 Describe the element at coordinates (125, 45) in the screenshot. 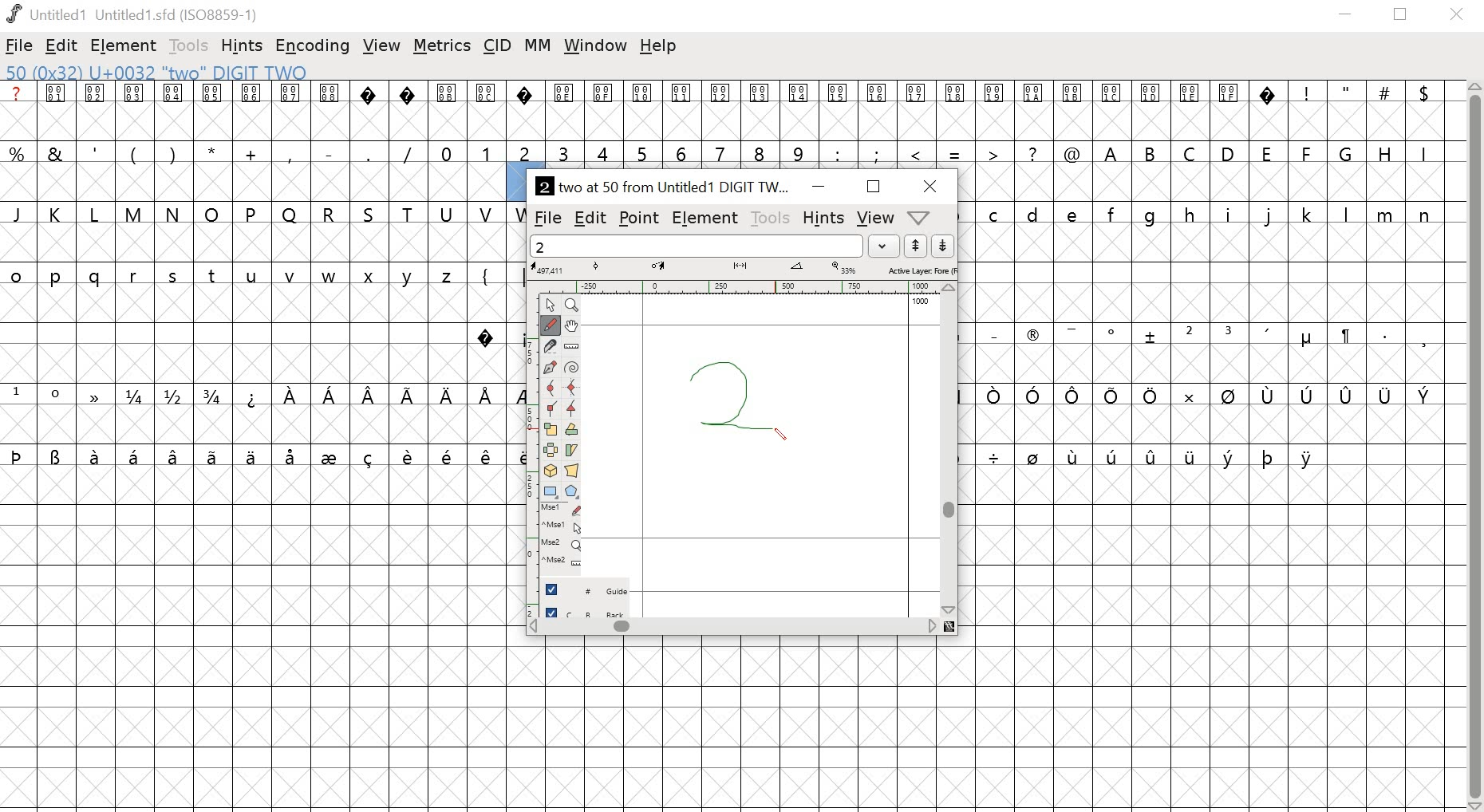

I see `element` at that location.